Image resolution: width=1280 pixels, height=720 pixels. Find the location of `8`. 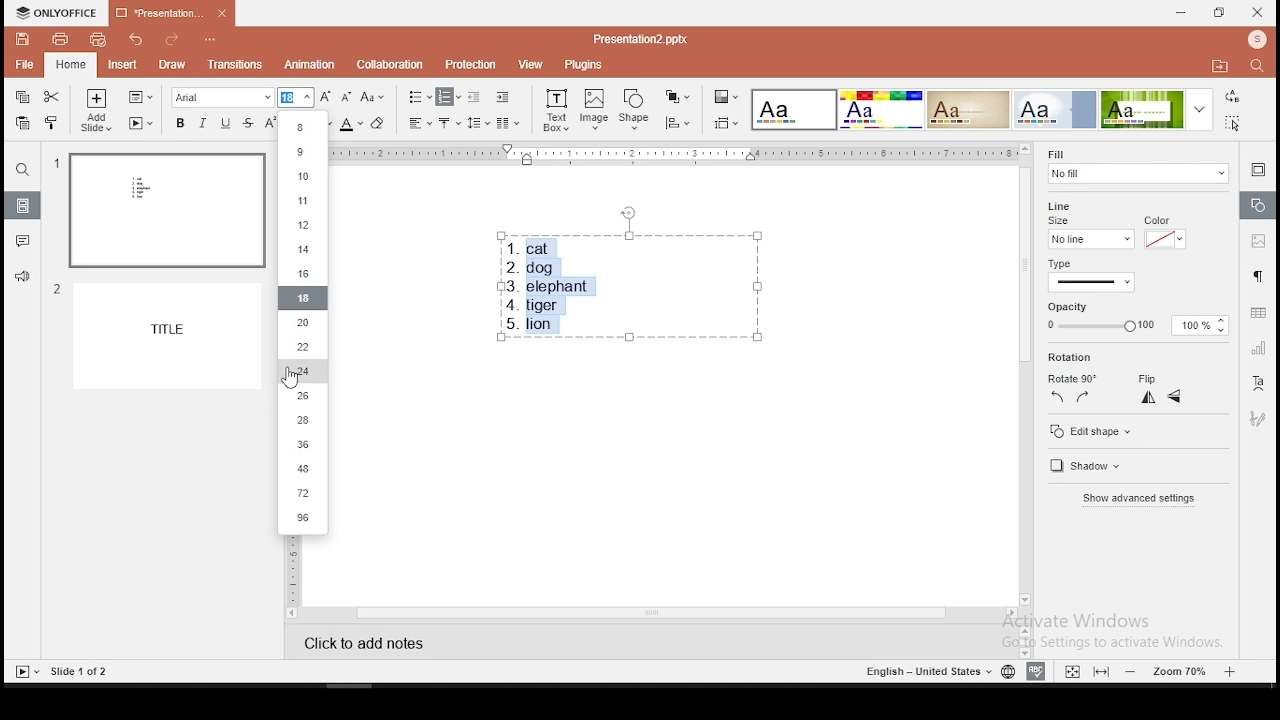

8 is located at coordinates (304, 129).